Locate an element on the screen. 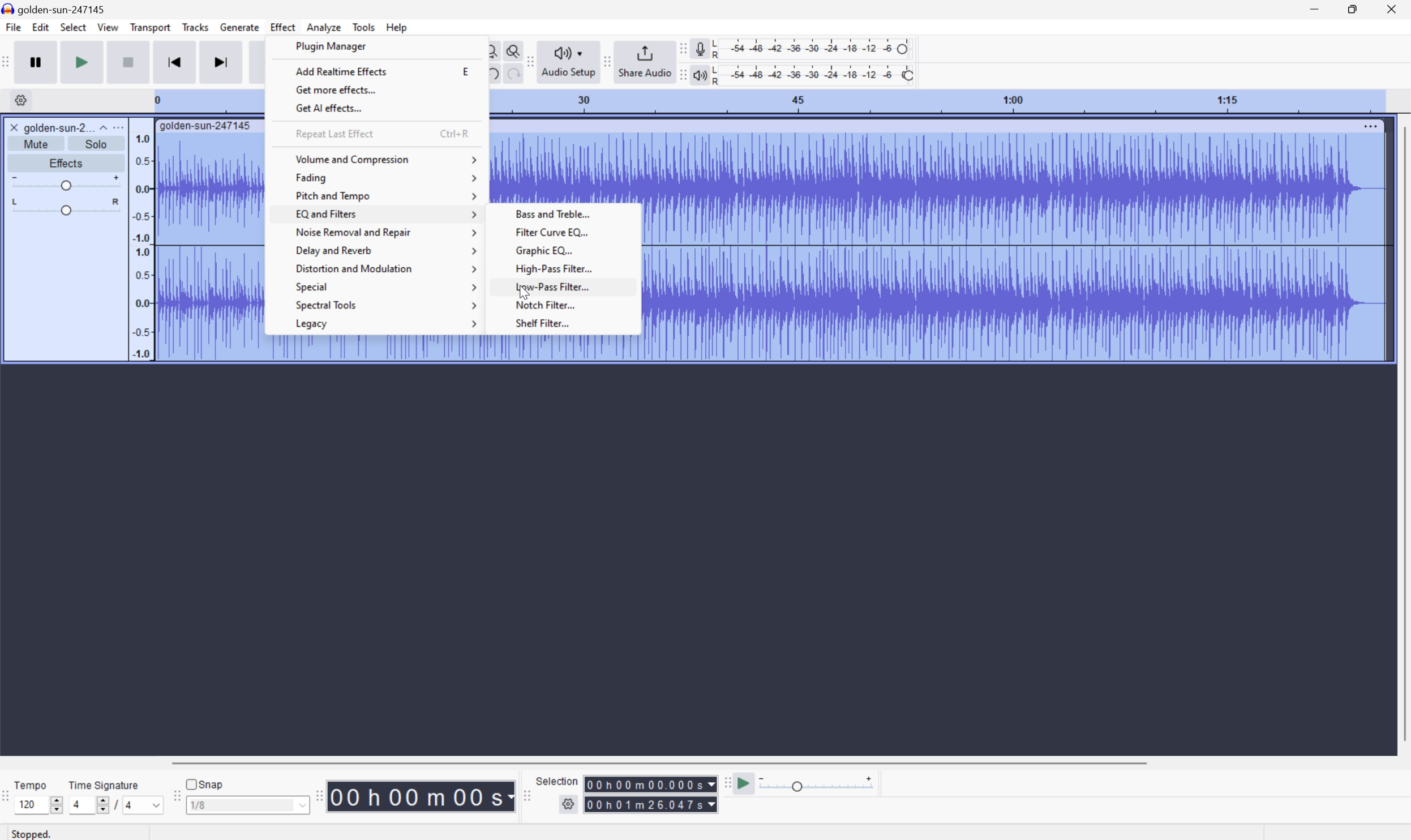  Audacity recording meter toolbar is located at coordinates (680, 49).